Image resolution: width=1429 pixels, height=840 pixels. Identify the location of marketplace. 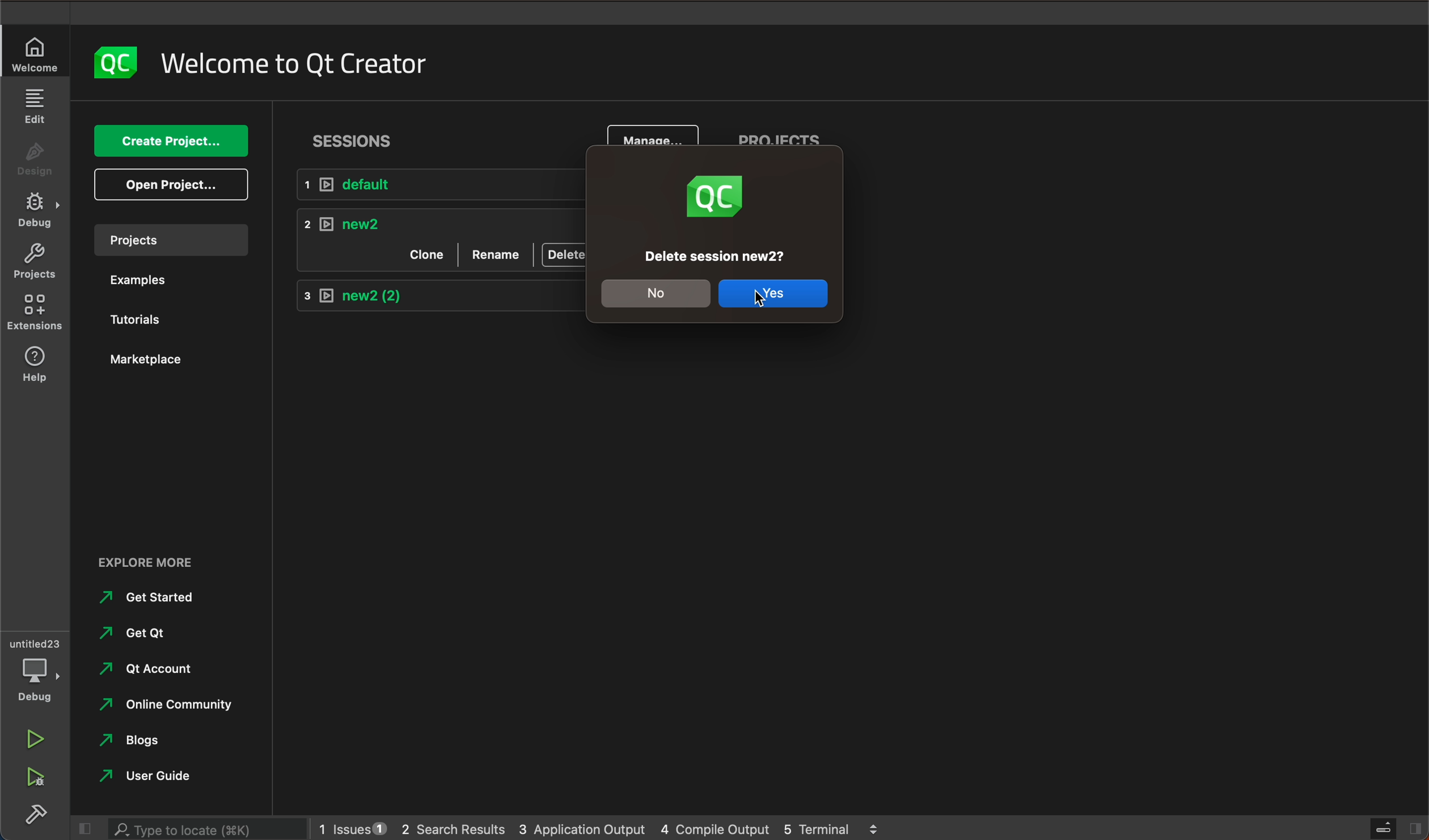
(161, 361).